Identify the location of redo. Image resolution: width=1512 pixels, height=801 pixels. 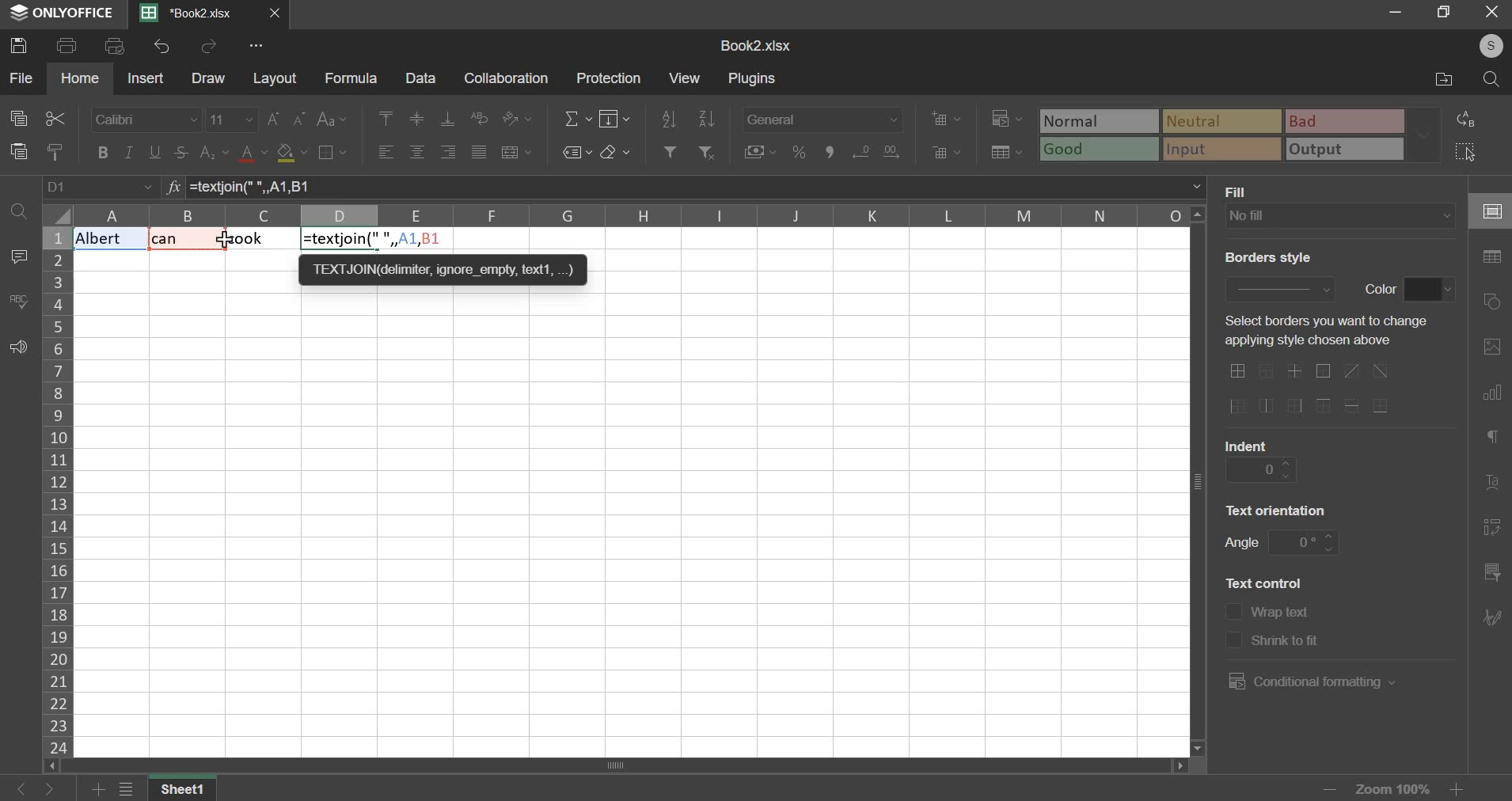
(211, 47).